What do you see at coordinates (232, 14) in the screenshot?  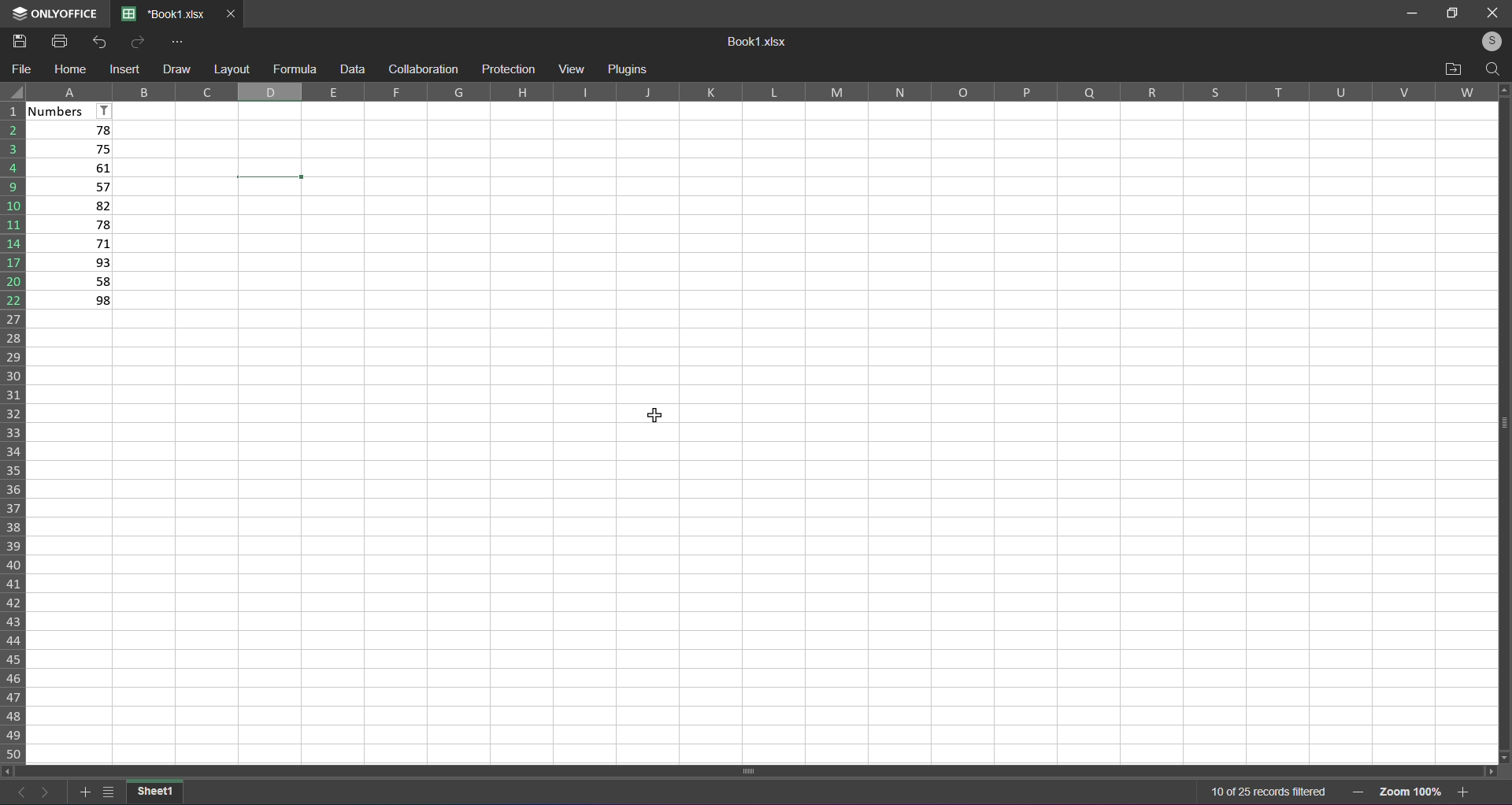 I see `Close Tab` at bounding box center [232, 14].